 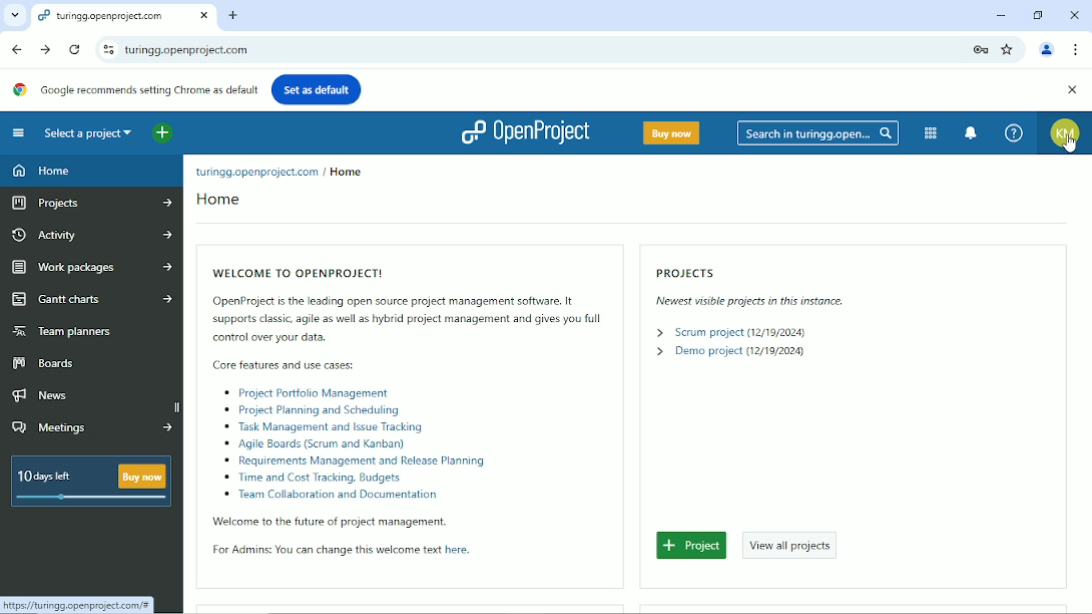 What do you see at coordinates (1071, 90) in the screenshot?
I see `Close` at bounding box center [1071, 90].